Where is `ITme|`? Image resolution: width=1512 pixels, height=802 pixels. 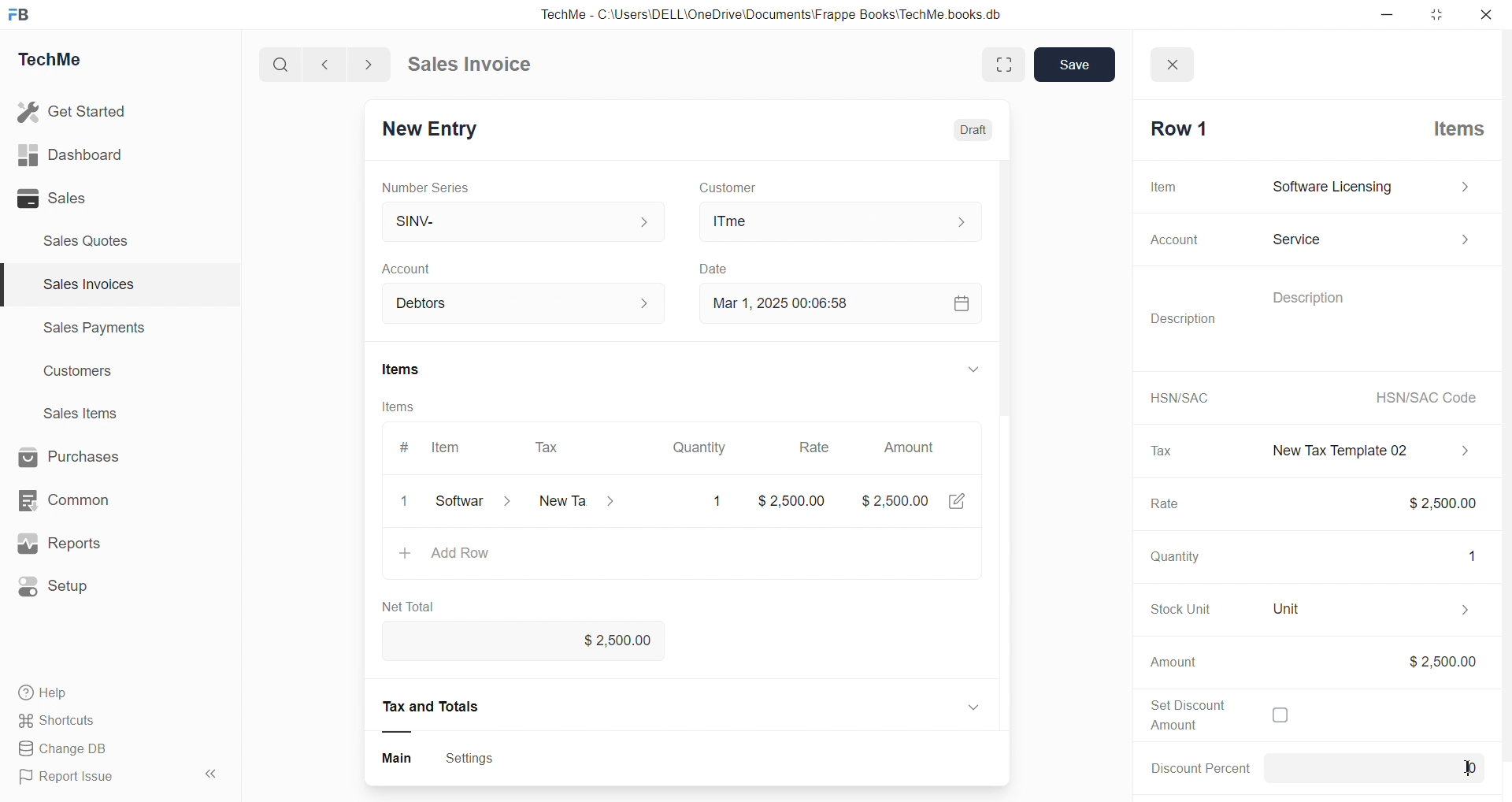
ITme| is located at coordinates (842, 222).